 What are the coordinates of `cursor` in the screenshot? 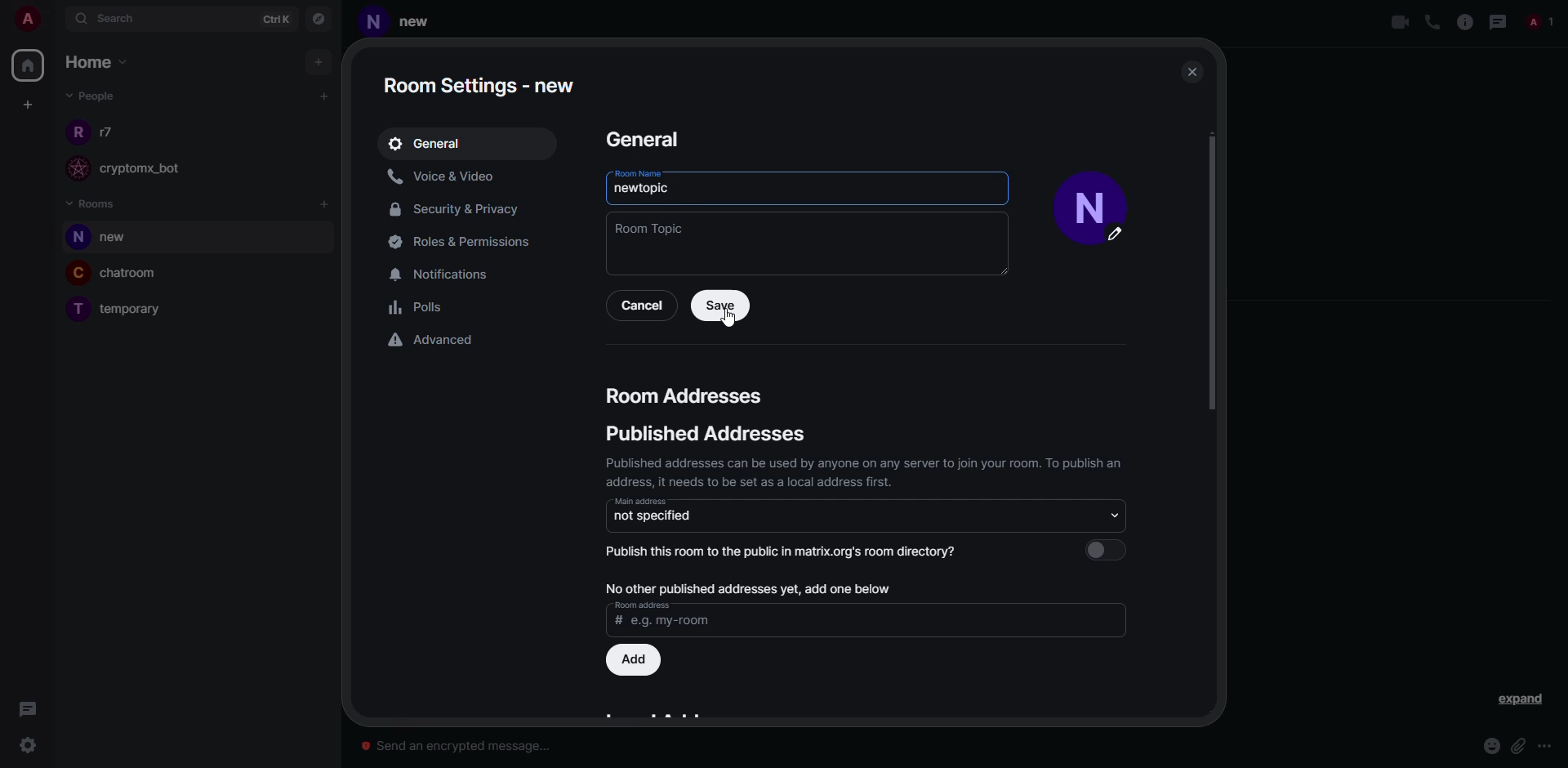 It's located at (728, 319).